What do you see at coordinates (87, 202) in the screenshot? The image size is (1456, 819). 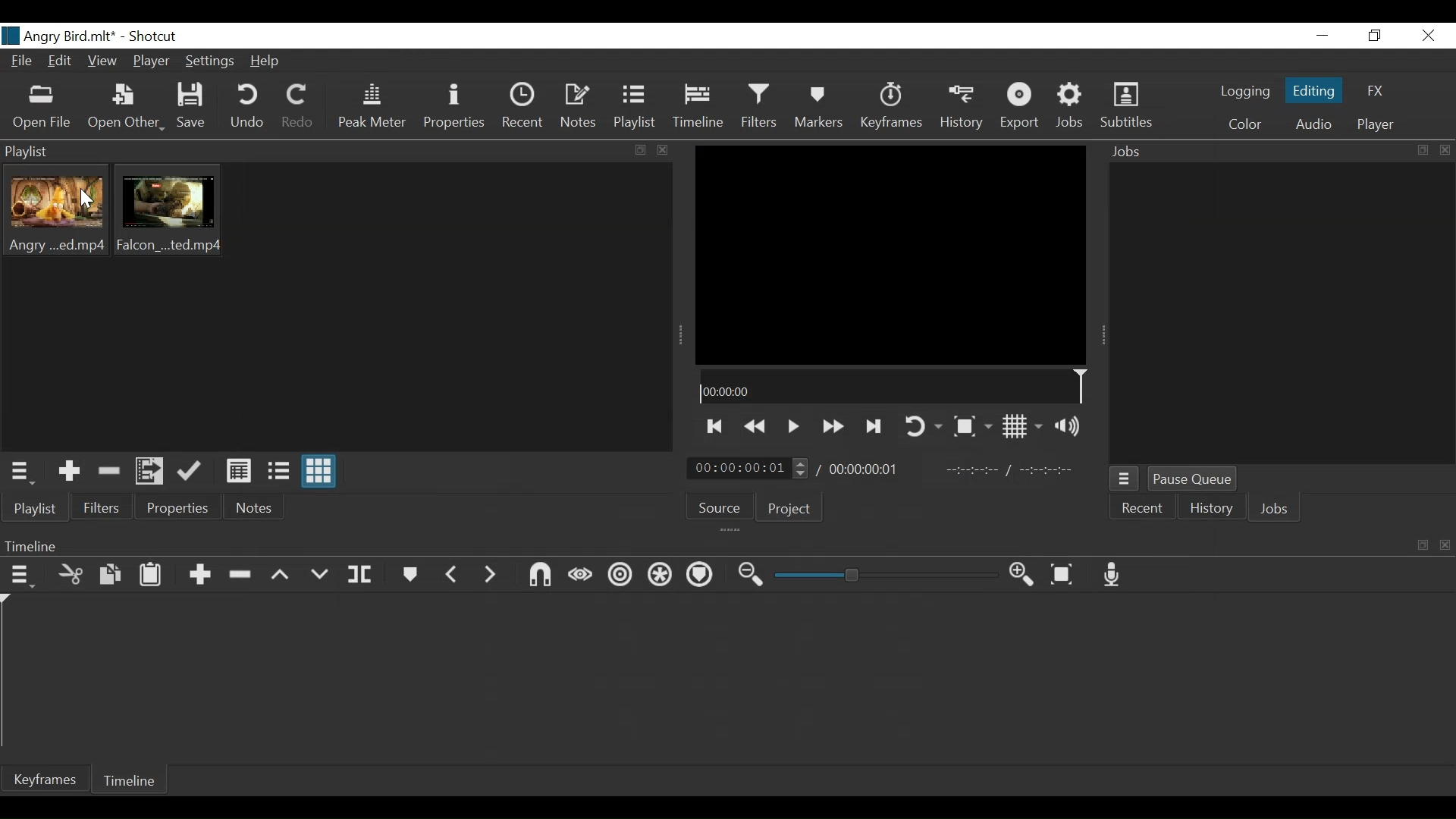 I see `Cursor` at bounding box center [87, 202].